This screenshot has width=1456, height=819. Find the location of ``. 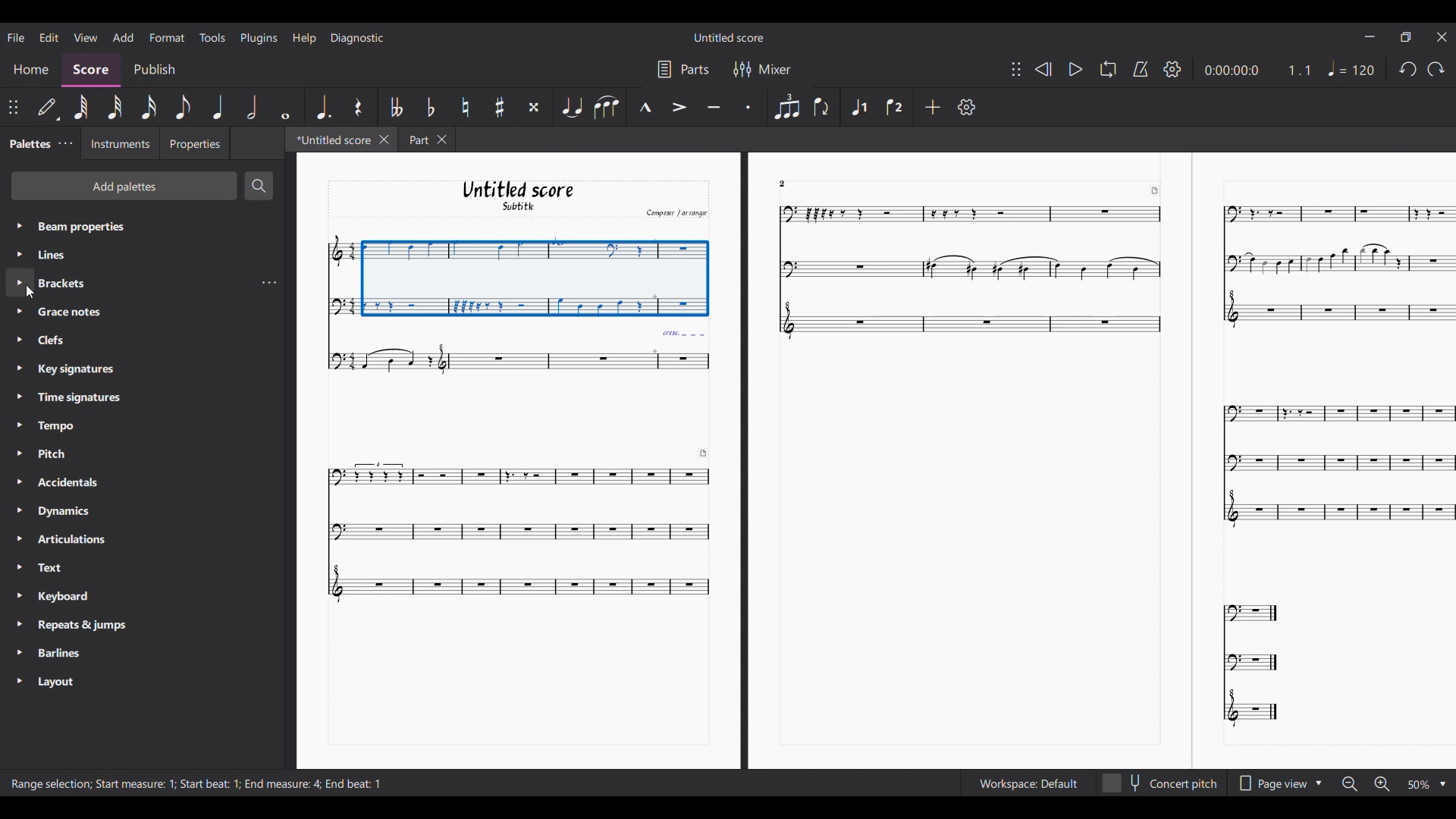

 is located at coordinates (522, 475).